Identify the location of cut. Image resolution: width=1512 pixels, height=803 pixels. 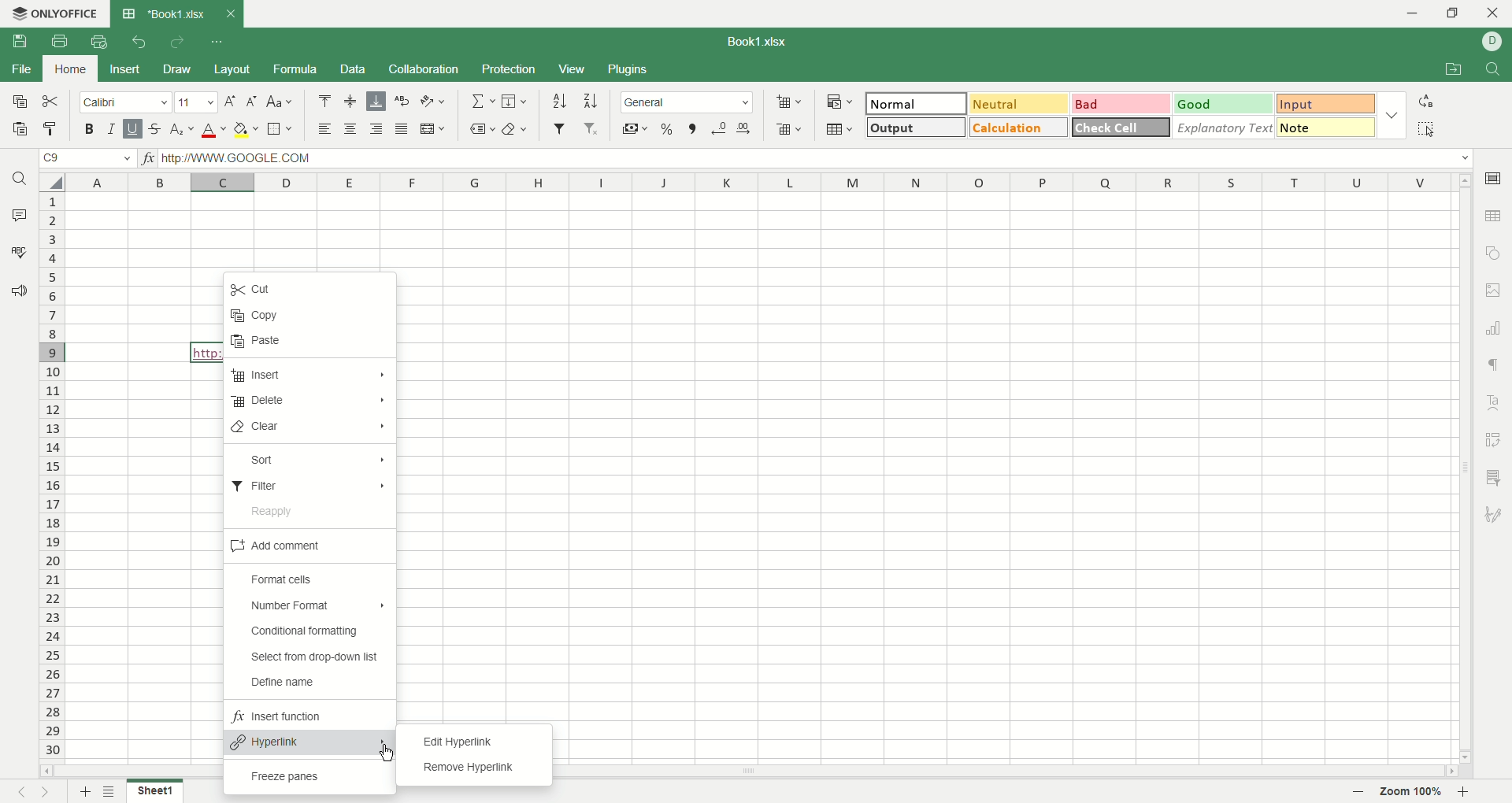
(254, 290).